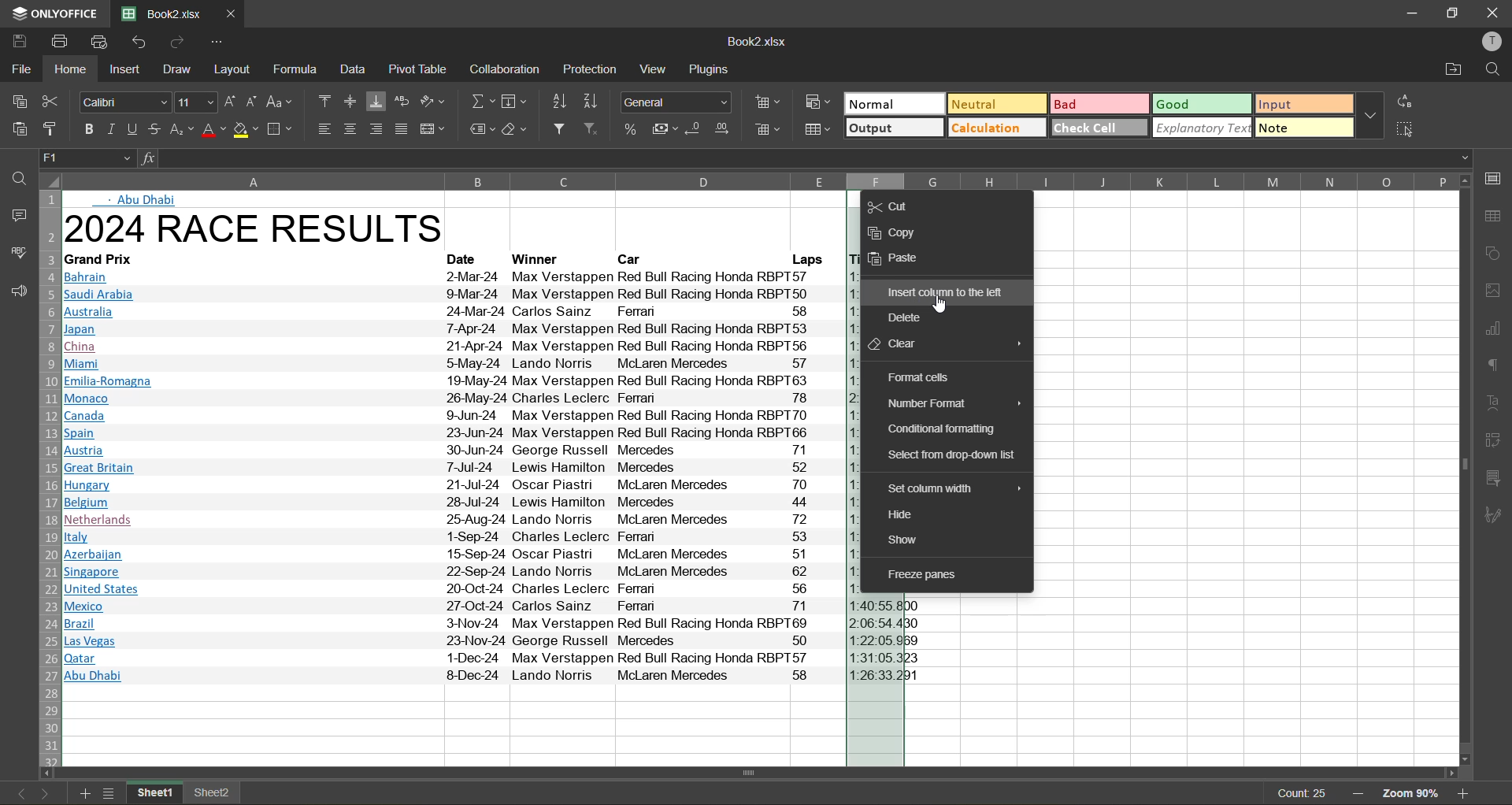 This screenshot has width=1512, height=805. What do you see at coordinates (947, 291) in the screenshot?
I see `insert column to the left` at bounding box center [947, 291].